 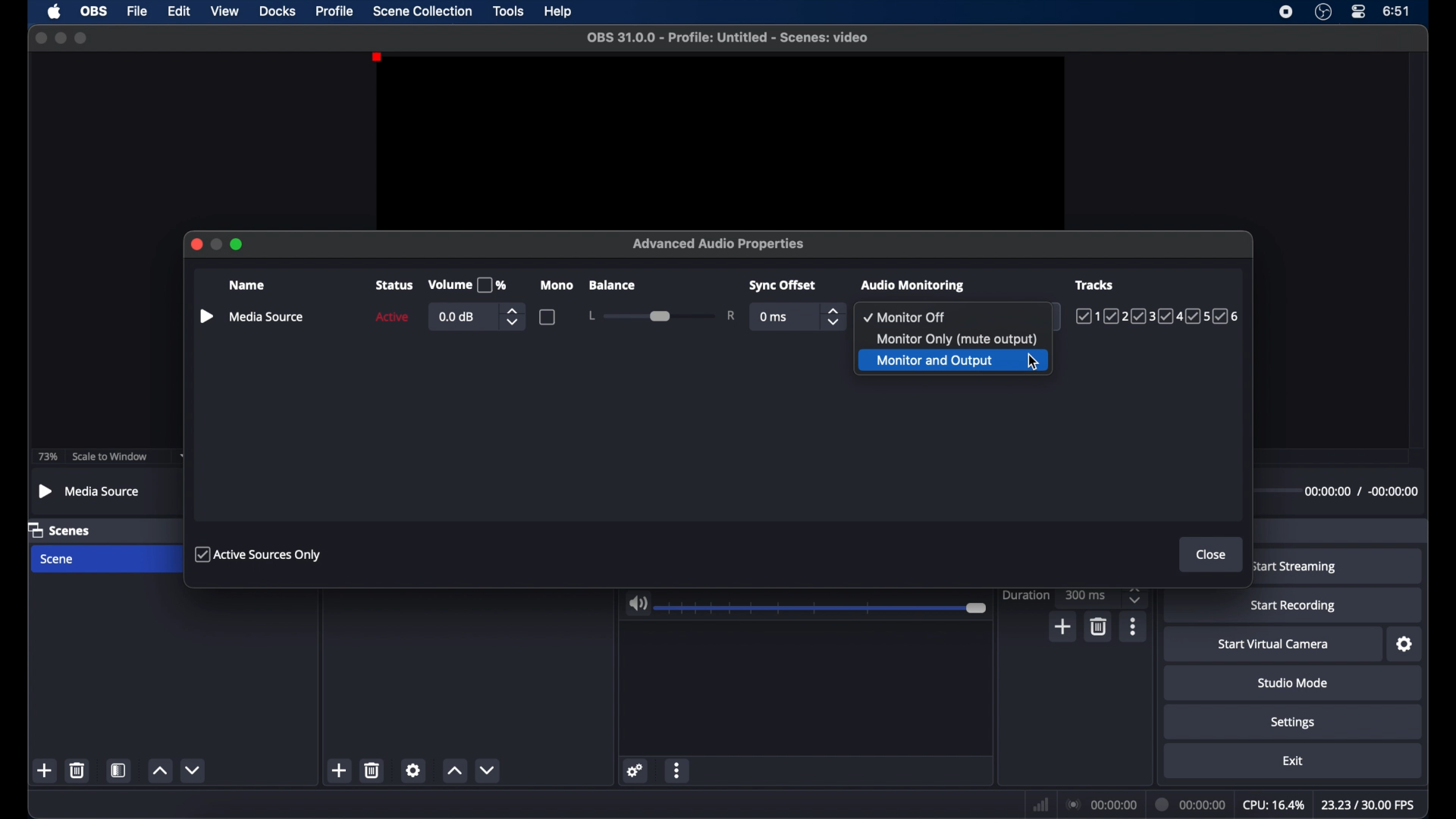 What do you see at coordinates (1294, 723) in the screenshot?
I see `settings` at bounding box center [1294, 723].